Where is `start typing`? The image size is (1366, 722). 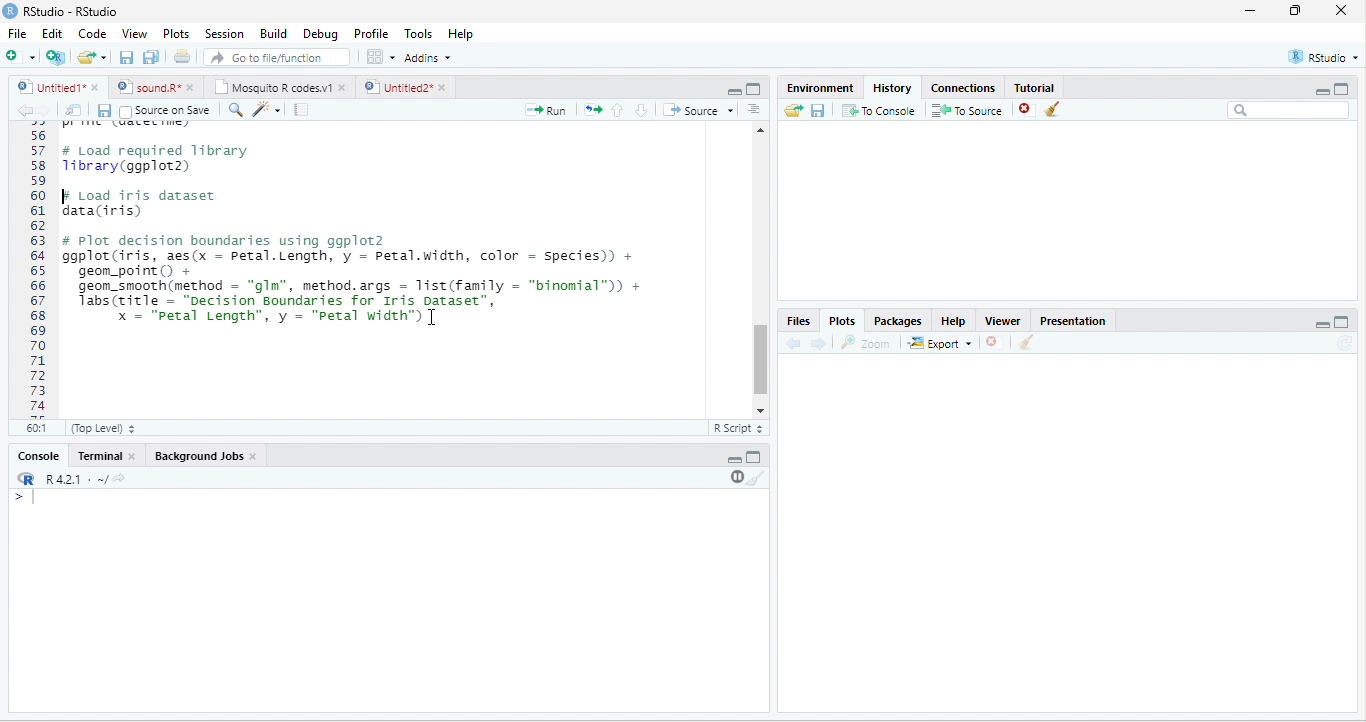 start typing is located at coordinates (28, 498).